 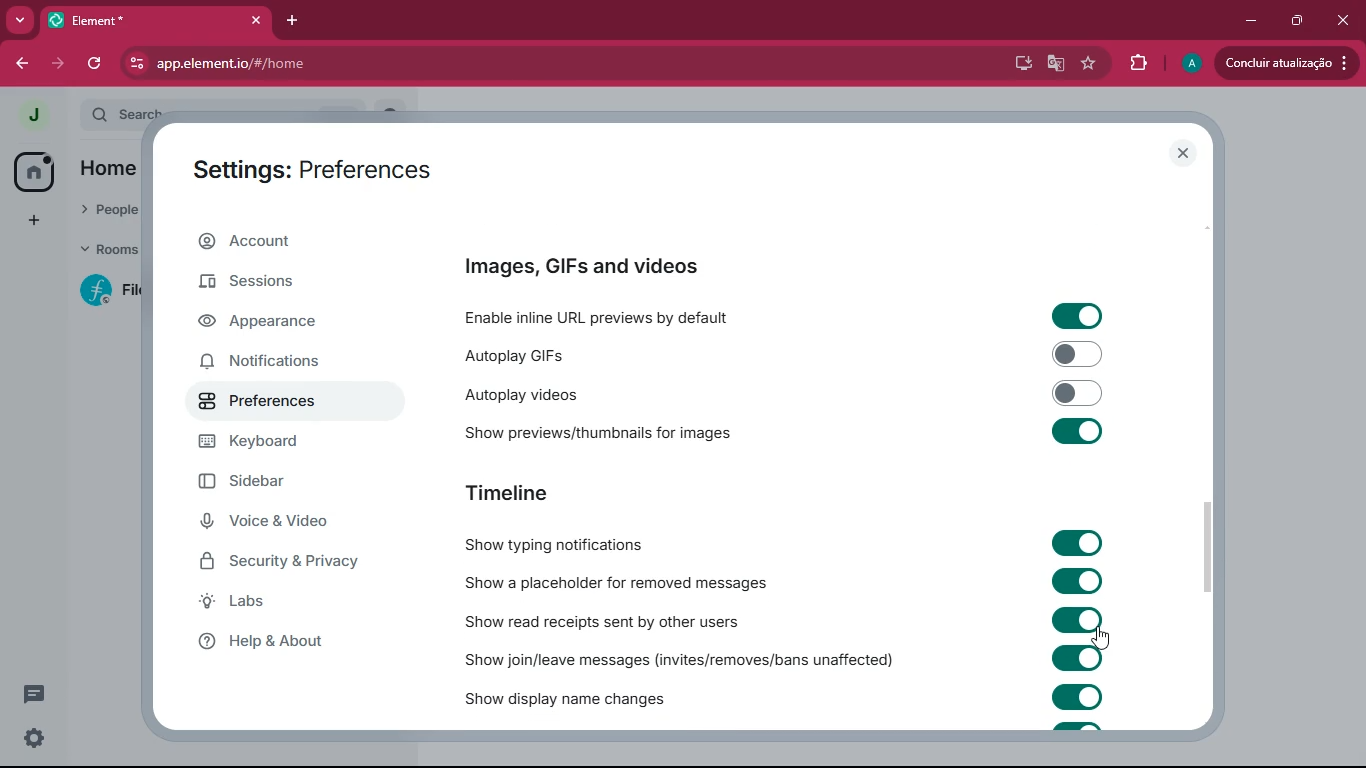 What do you see at coordinates (286, 485) in the screenshot?
I see `sidebar` at bounding box center [286, 485].